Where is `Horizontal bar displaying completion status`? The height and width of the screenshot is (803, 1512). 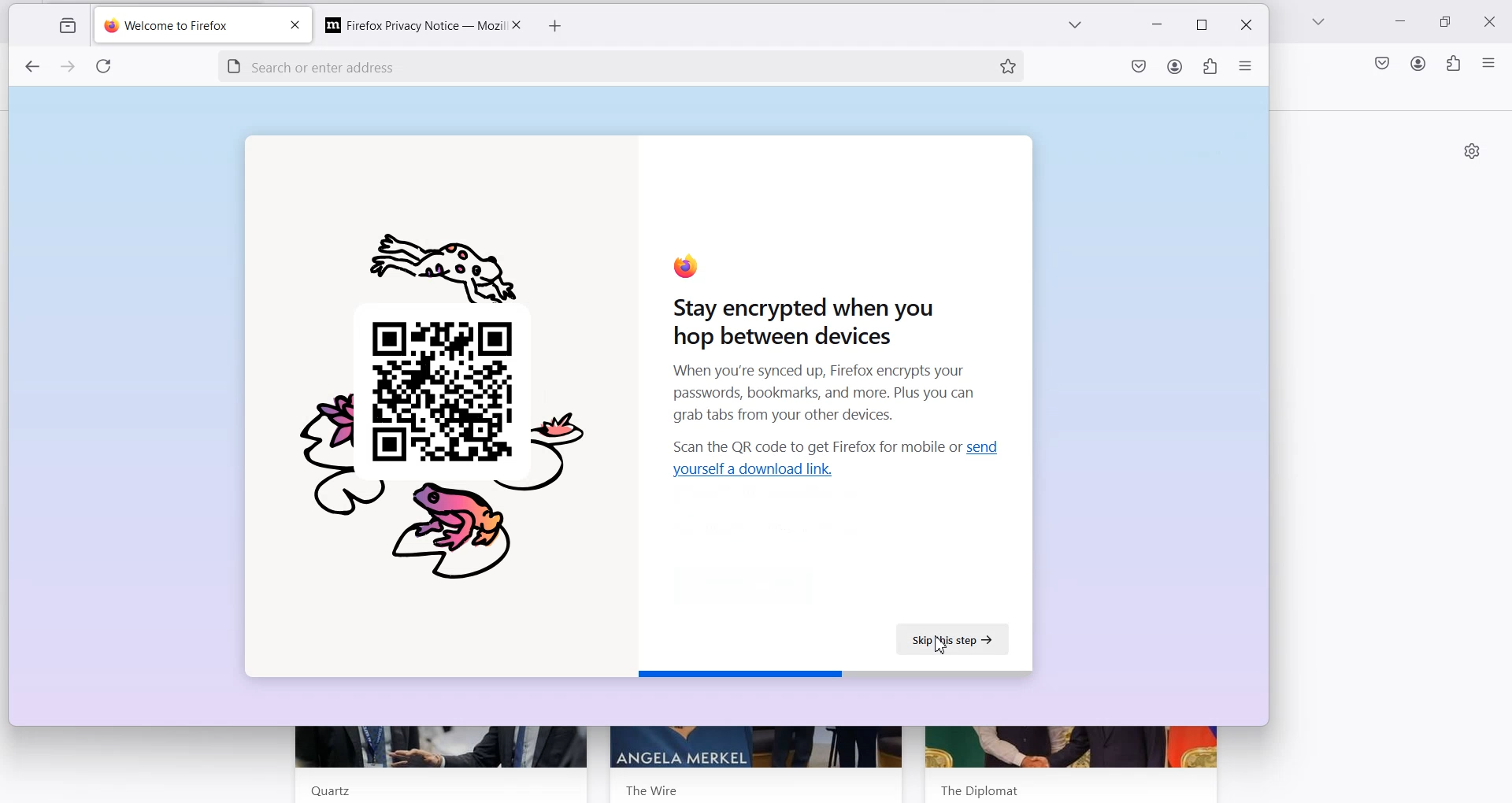 Horizontal bar displaying completion status is located at coordinates (835, 673).